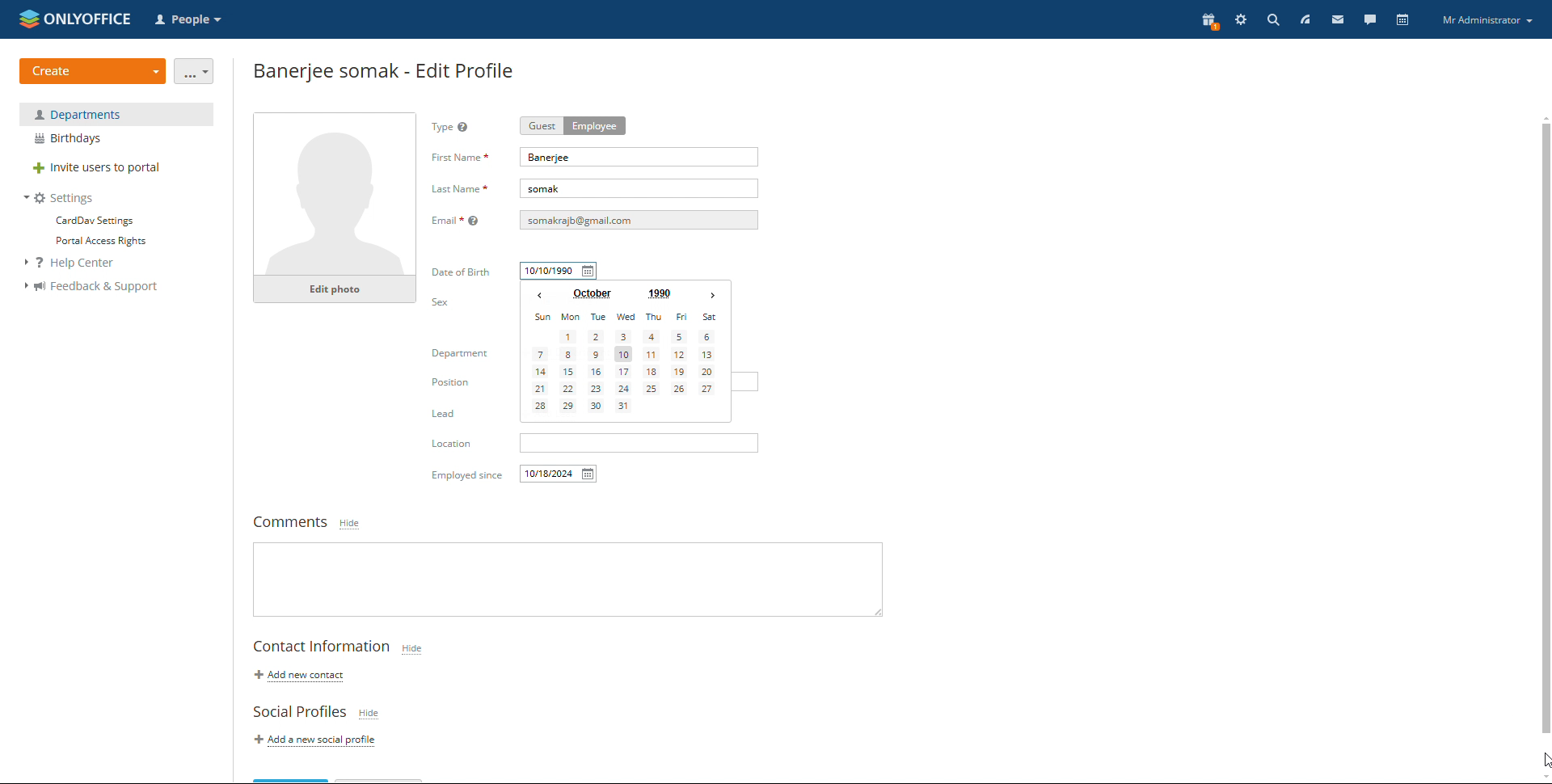  What do you see at coordinates (459, 157) in the screenshot?
I see `first name` at bounding box center [459, 157].